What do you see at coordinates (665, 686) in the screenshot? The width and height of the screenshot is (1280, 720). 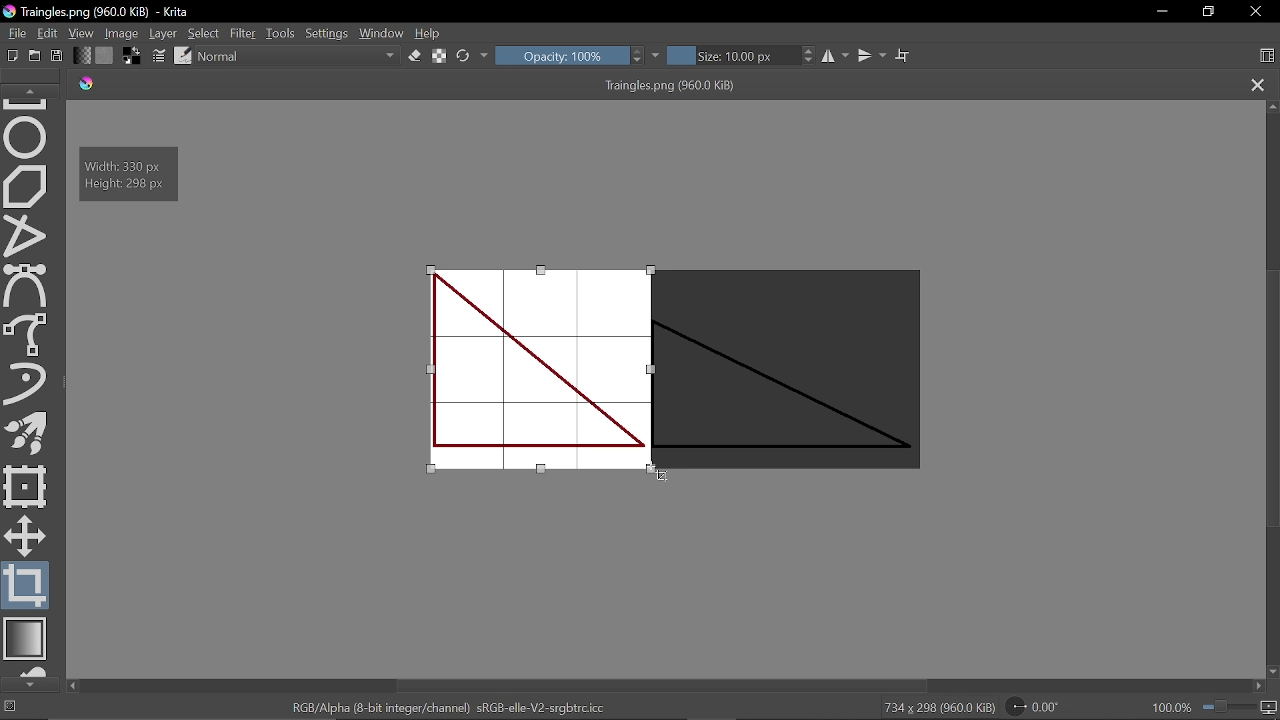 I see `Vertical scrollbar` at bounding box center [665, 686].